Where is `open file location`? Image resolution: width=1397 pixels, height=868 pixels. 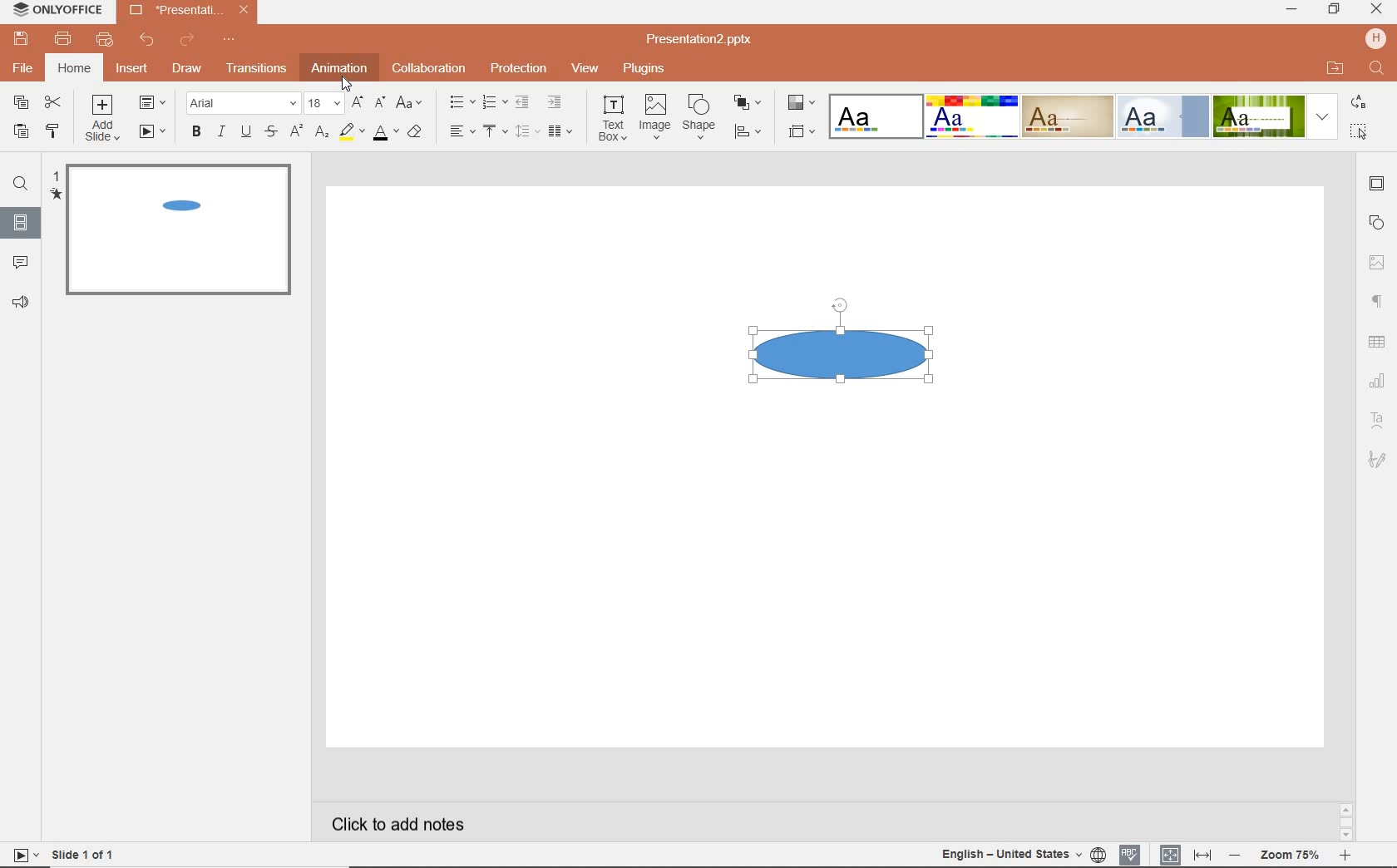
open file location is located at coordinates (1338, 67).